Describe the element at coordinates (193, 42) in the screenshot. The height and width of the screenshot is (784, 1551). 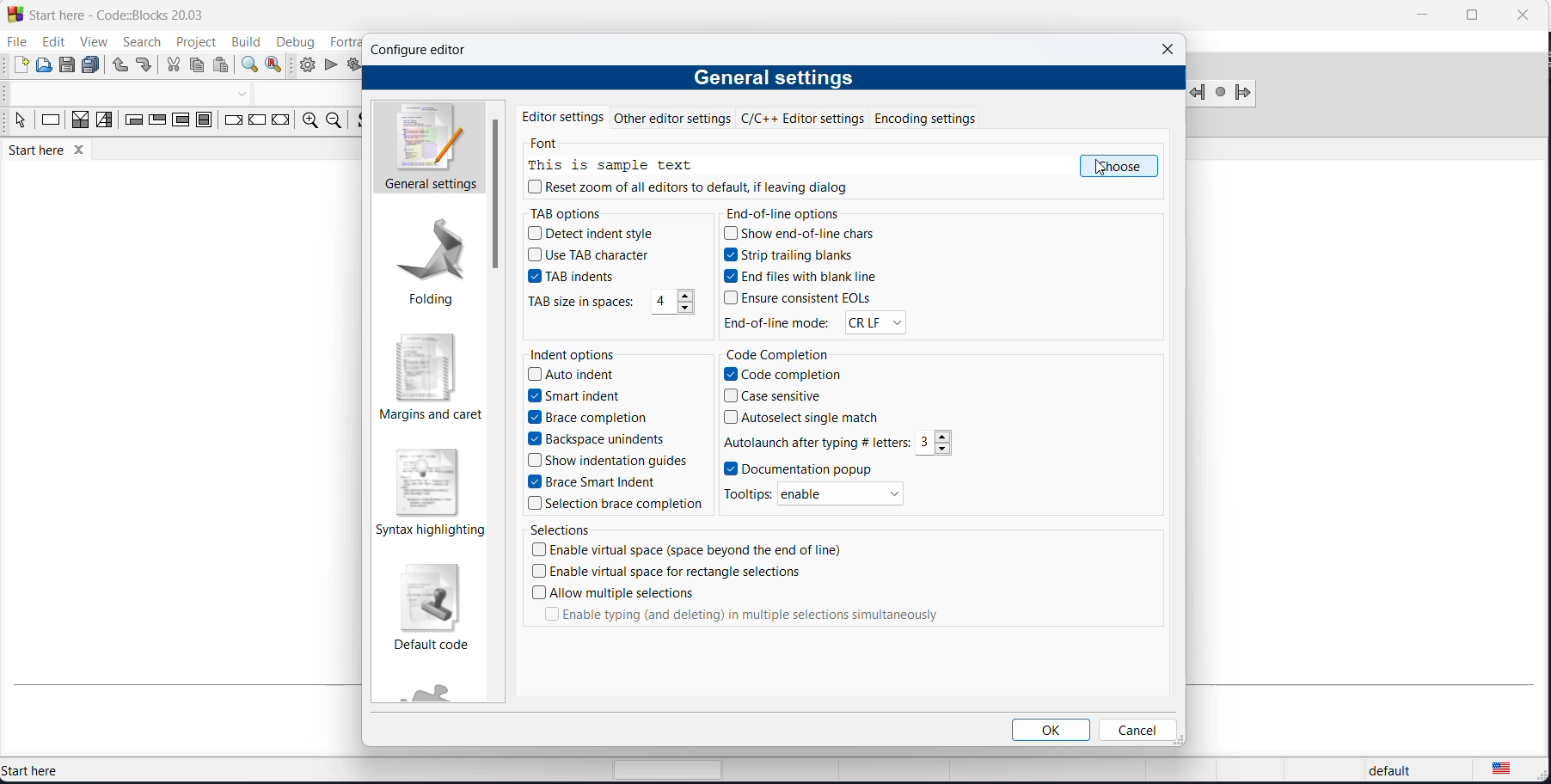
I see `project` at that location.